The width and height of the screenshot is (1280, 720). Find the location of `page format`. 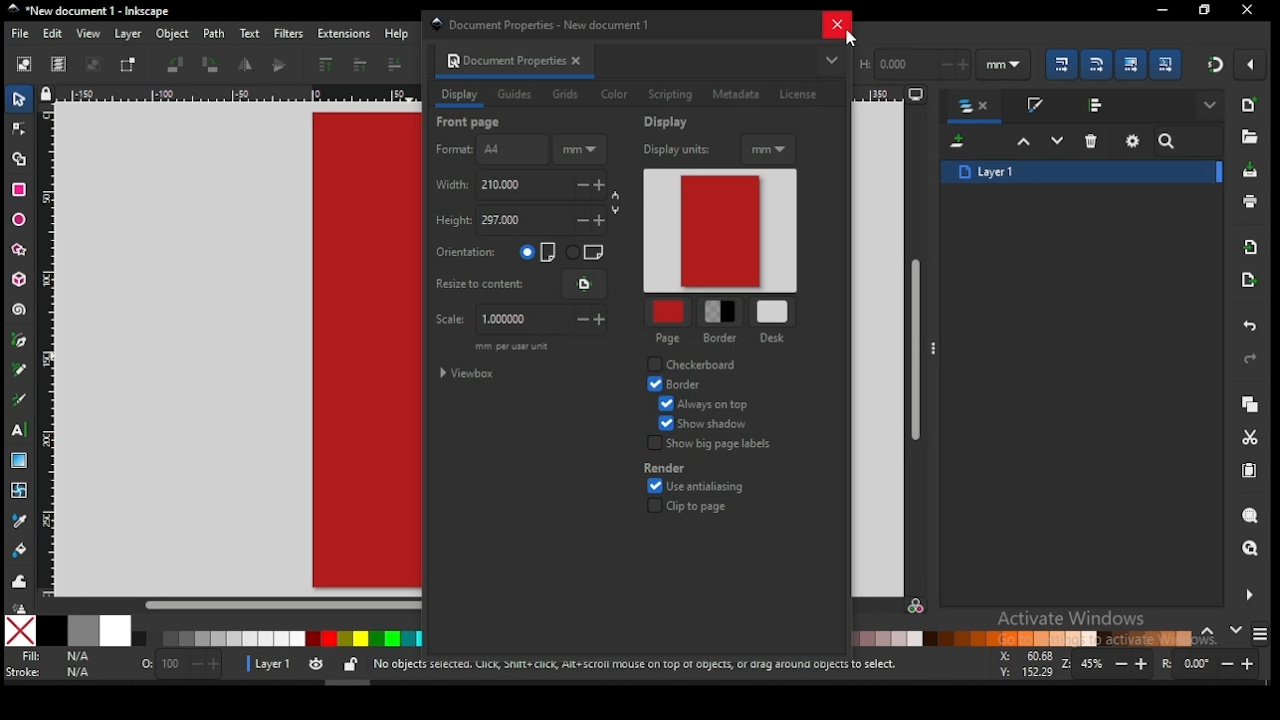

page format is located at coordinates (489, 150).